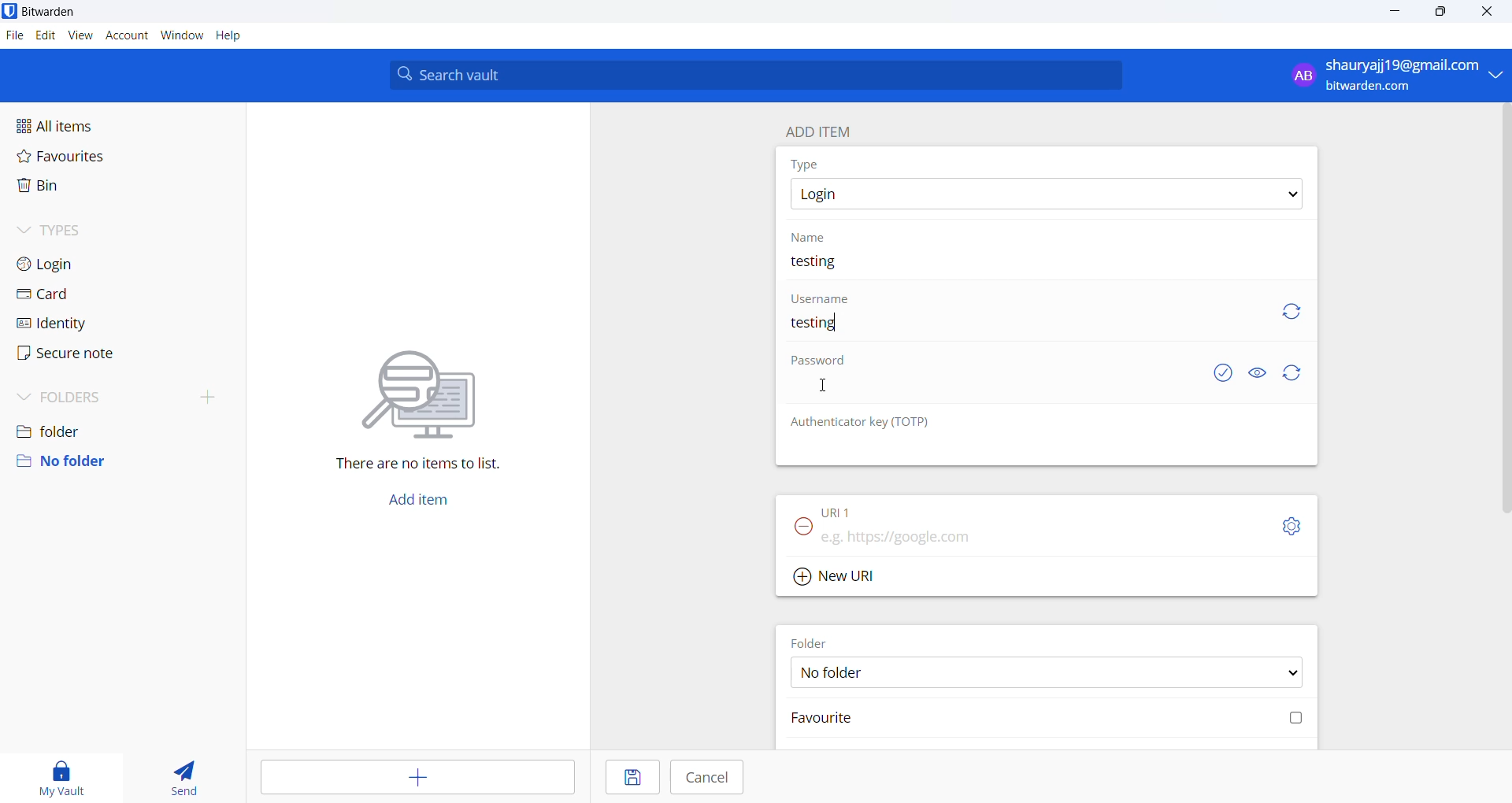 This screenshot has height=803, width=1512. What do you see at coordinates (1288, 311) in the screenshot?
I see `refresh` at bounding box center [1288, 311].